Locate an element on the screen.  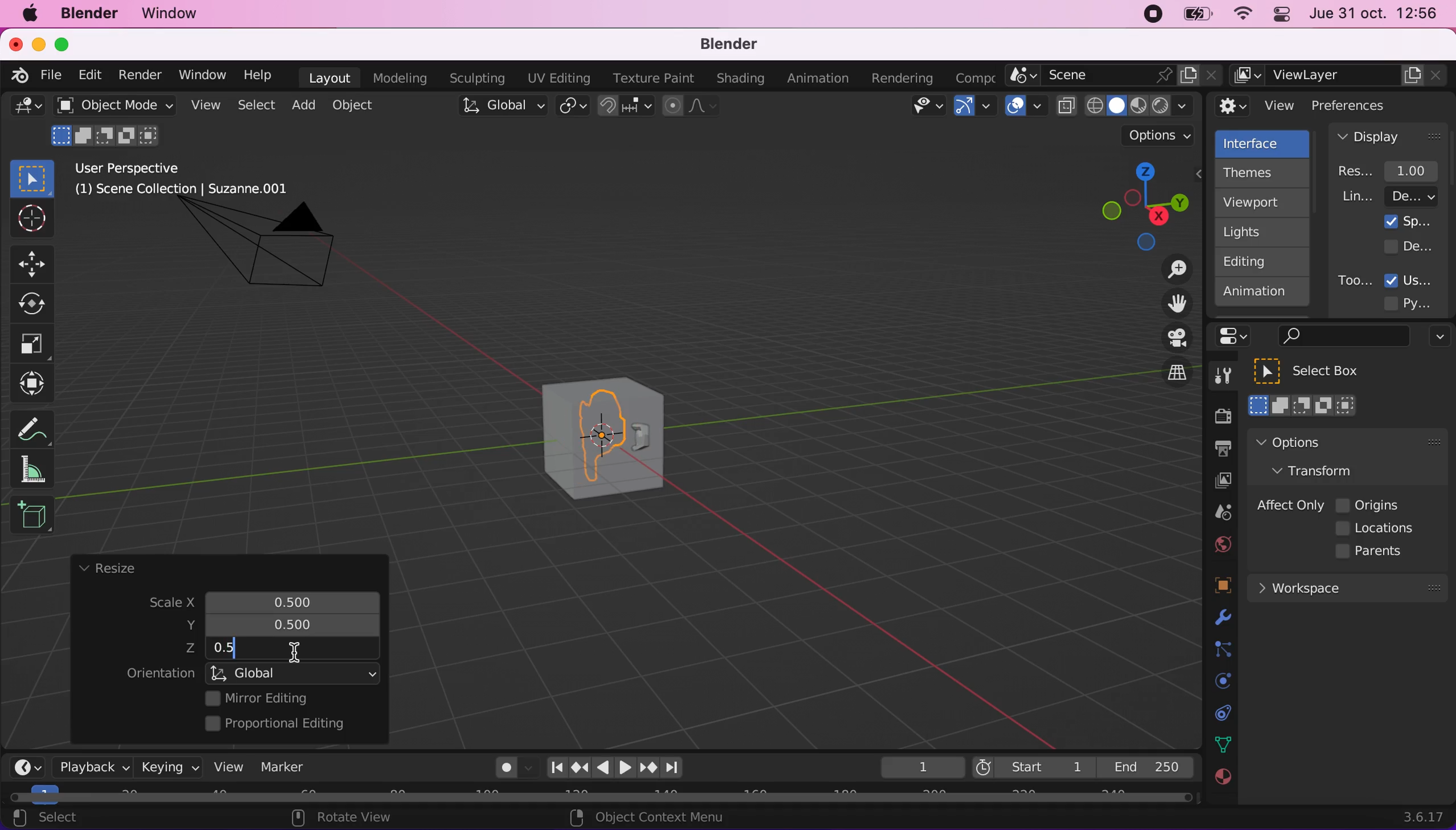
rendering is located at coordinates (903, 79).